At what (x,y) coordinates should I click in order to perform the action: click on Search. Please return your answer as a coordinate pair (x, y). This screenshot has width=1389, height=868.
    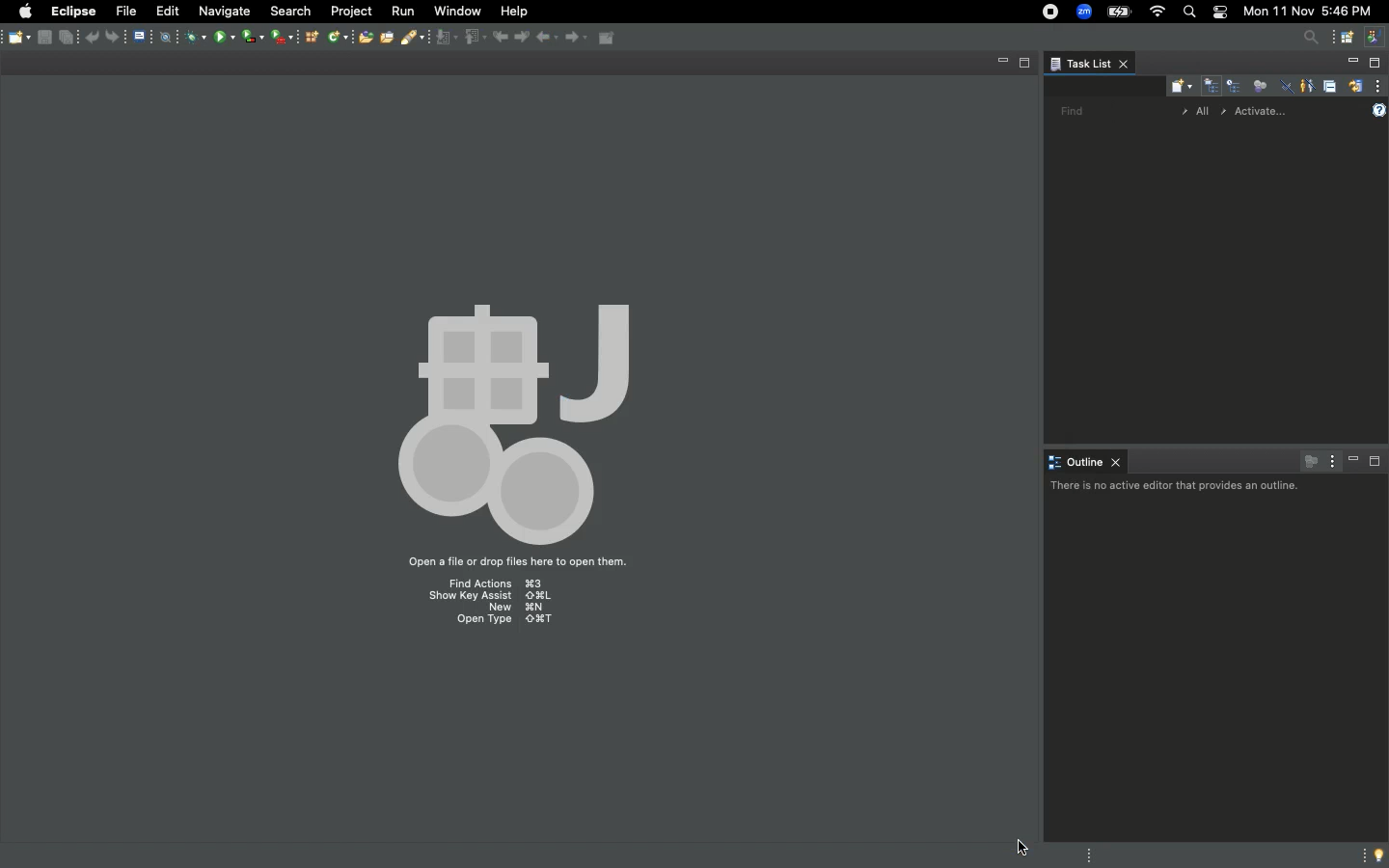
    Looking at the image, I should click on (290, 10).